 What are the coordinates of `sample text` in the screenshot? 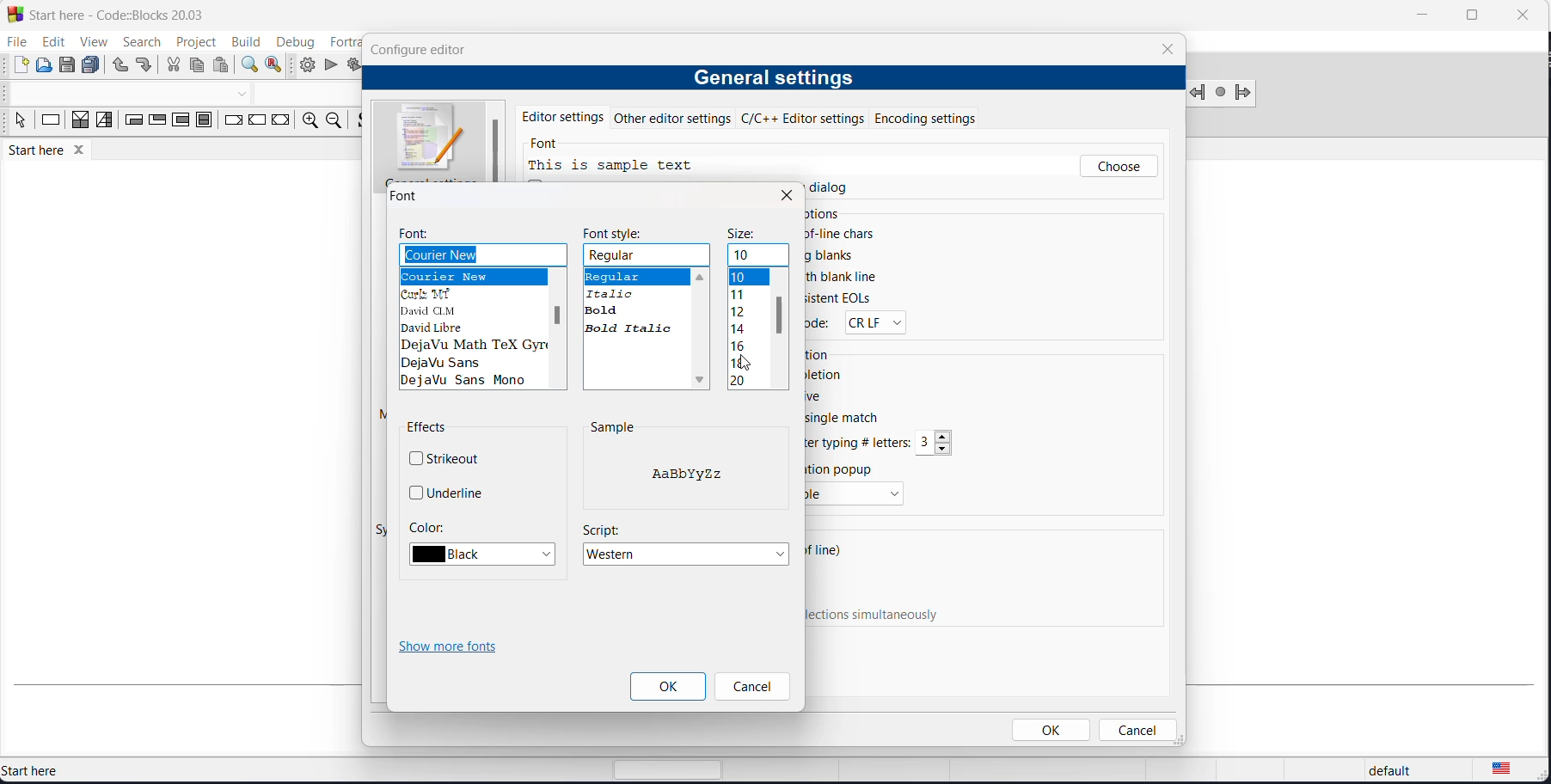 It's located at (690, 476).